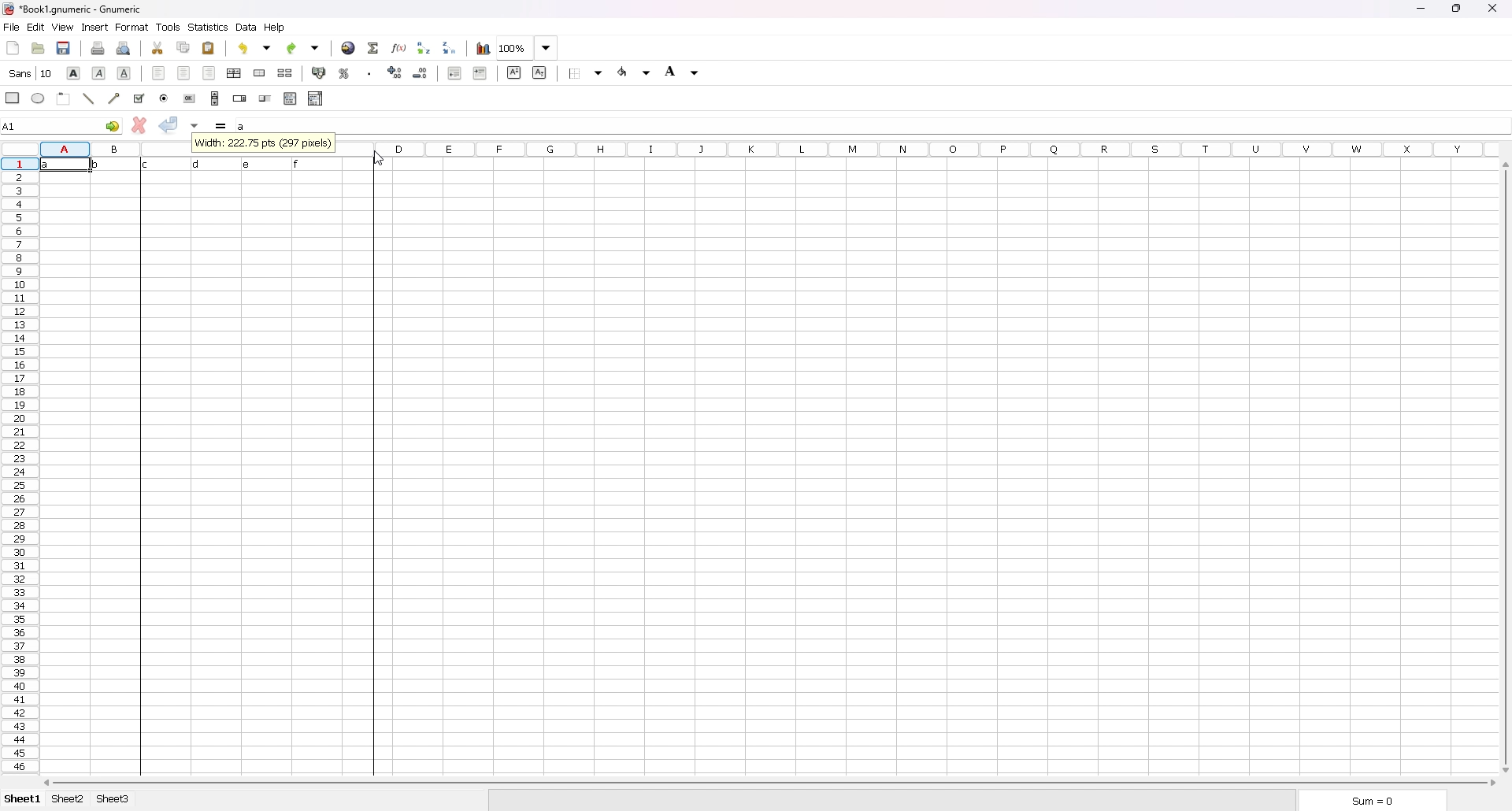 This screenshot has height=811, width=1512. Describe the element at coordinates (113, 146) in the screenshot. I see `ROWS` at that location.